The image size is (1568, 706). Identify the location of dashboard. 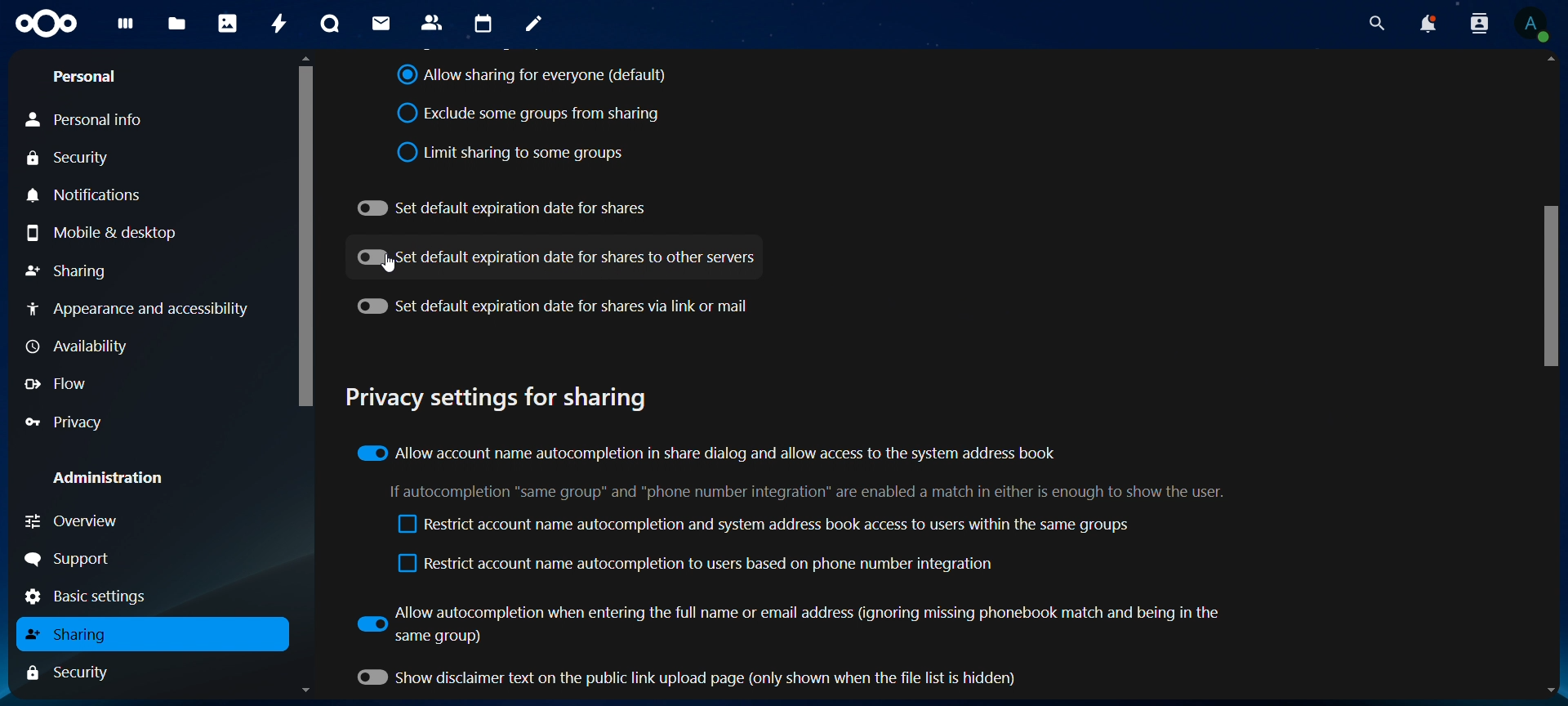
(123, 29).